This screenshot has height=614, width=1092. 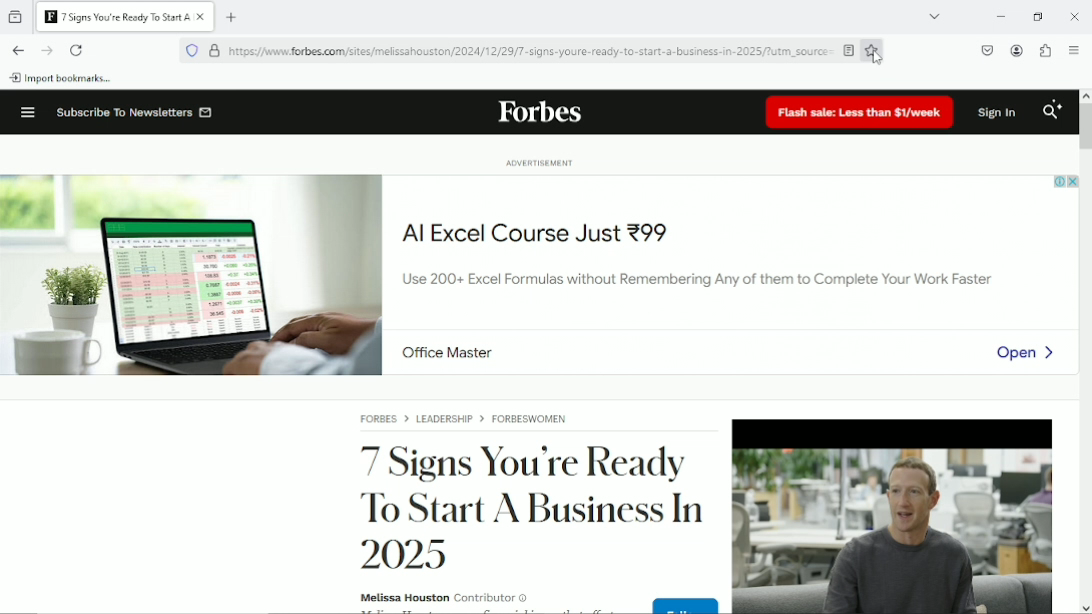 What do you see at coordinates (1017, 50) in the screenshot?
I see `Account` at bounding box center [1017, 50].